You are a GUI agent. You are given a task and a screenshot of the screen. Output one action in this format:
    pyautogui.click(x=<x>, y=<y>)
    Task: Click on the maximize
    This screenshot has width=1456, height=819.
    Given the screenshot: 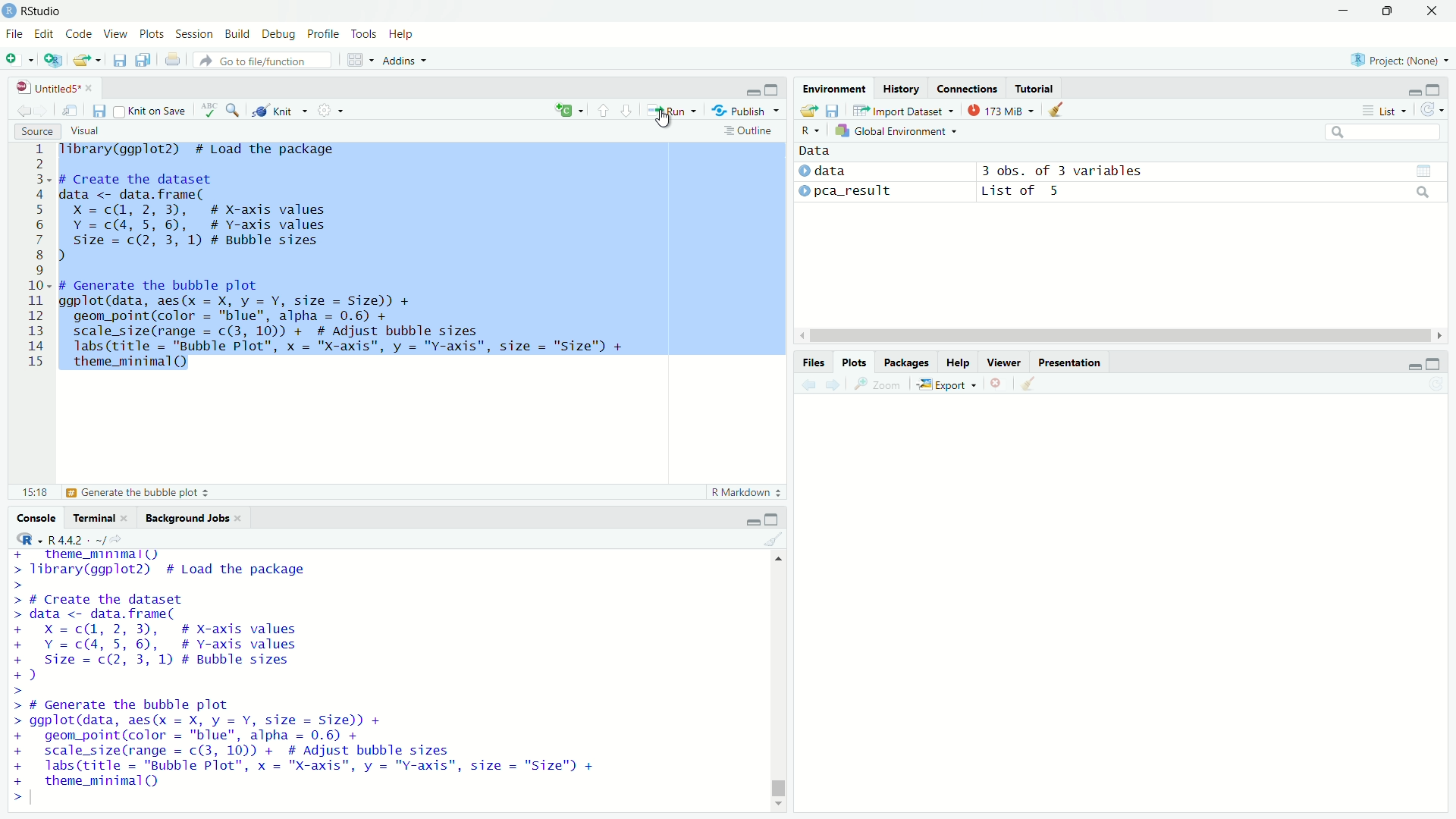 What is the action you would take?
    pyautogui.click(x=772, y=519)
    